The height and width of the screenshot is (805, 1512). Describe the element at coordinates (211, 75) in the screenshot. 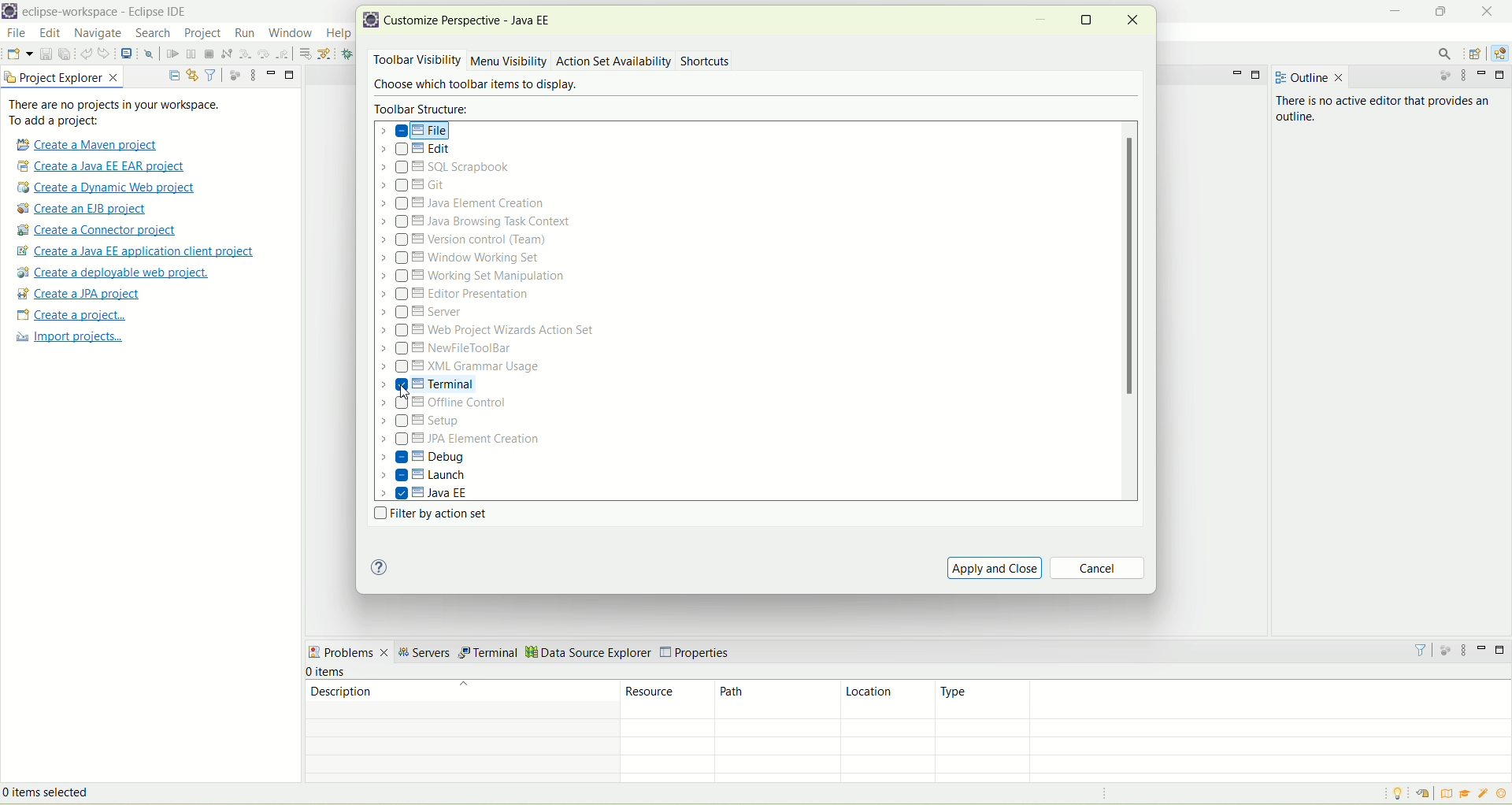

I see `filter` at that location.